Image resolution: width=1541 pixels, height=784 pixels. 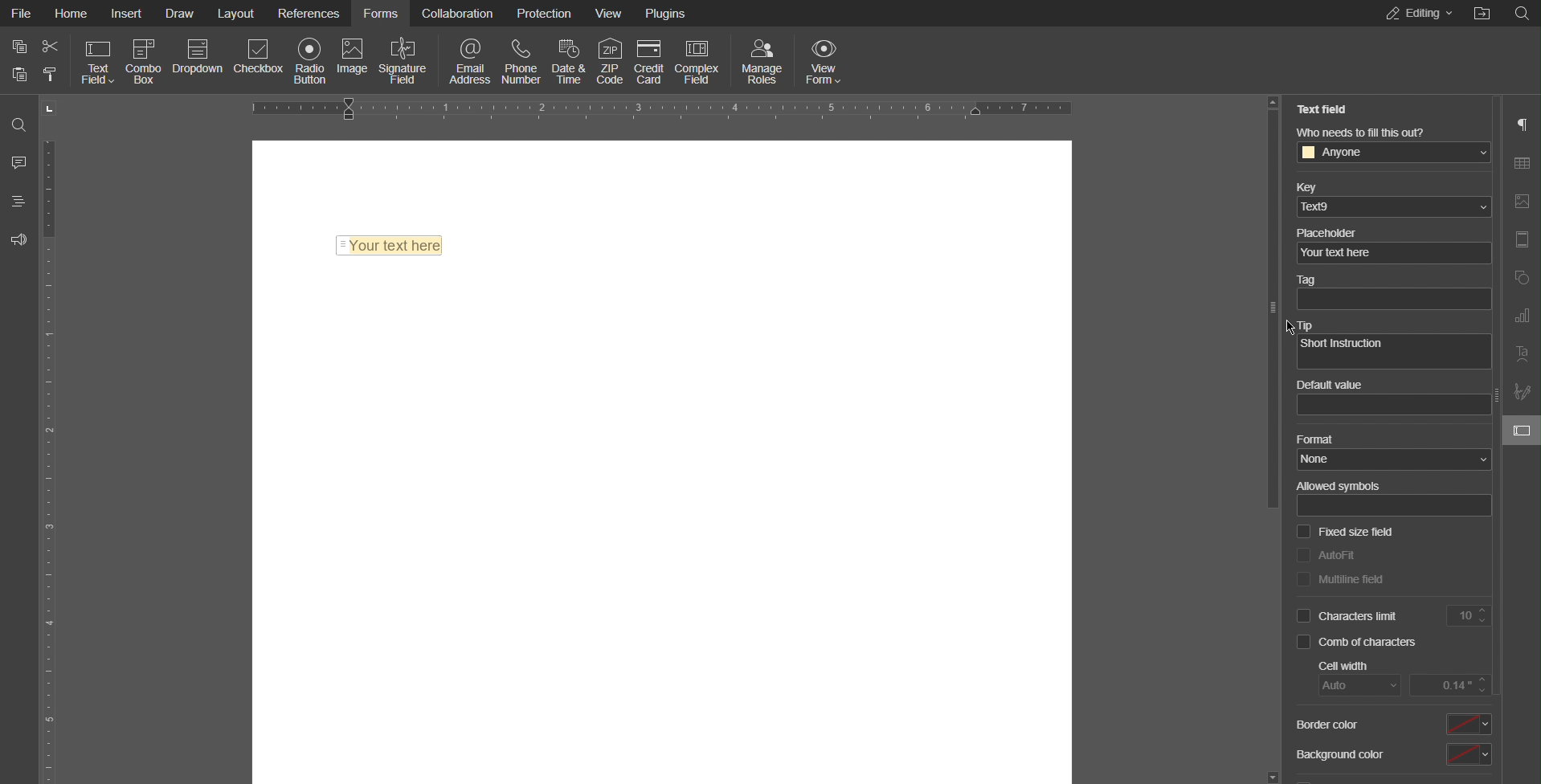 What do you see at coordinates (1297, 333) in the screenshot?
I see `cursor` at bounding box center [1297, 333].